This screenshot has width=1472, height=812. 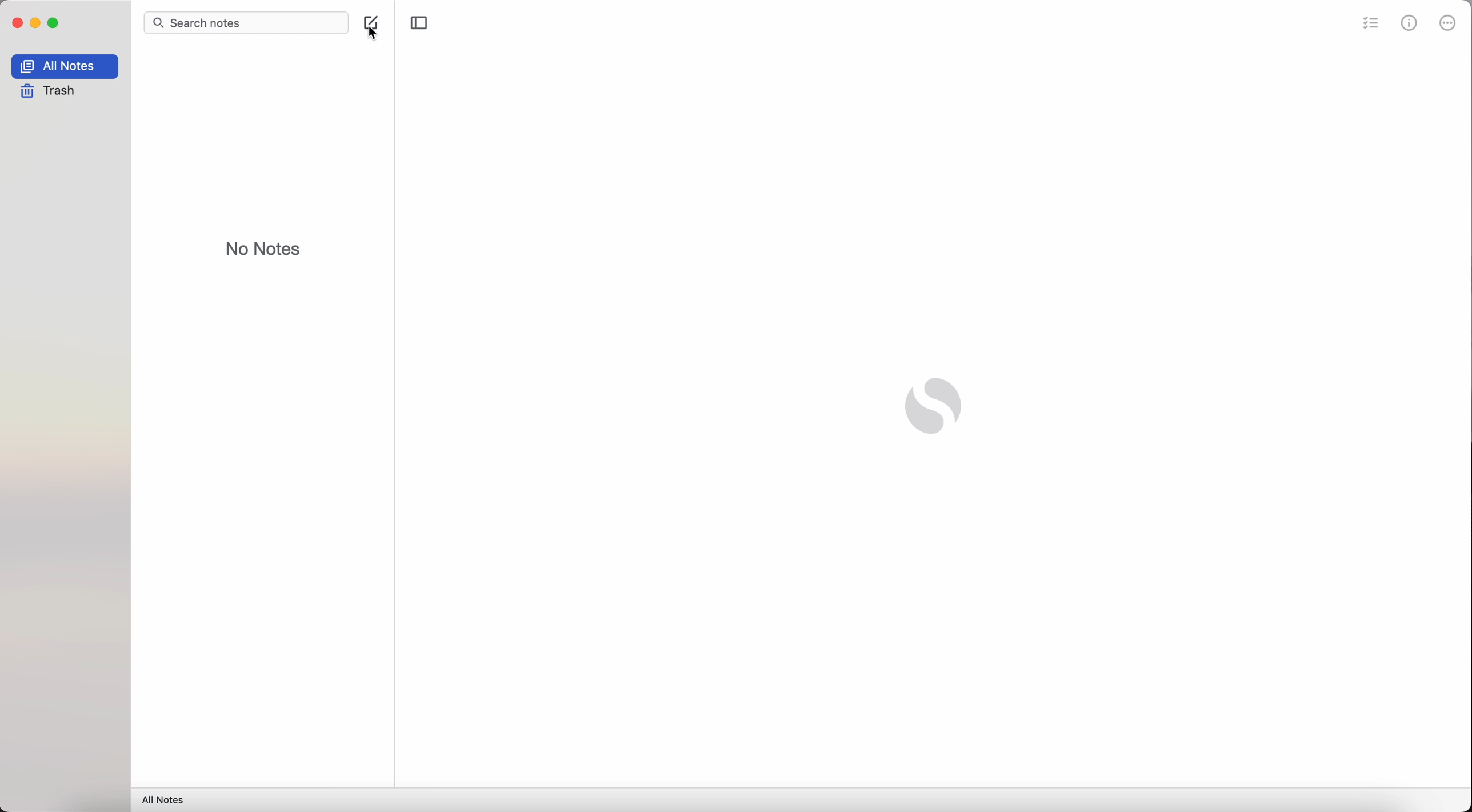 What do you see at coordinates (51, 93) in the screenshot?
I see `trash` at bounding box center [51, 93].